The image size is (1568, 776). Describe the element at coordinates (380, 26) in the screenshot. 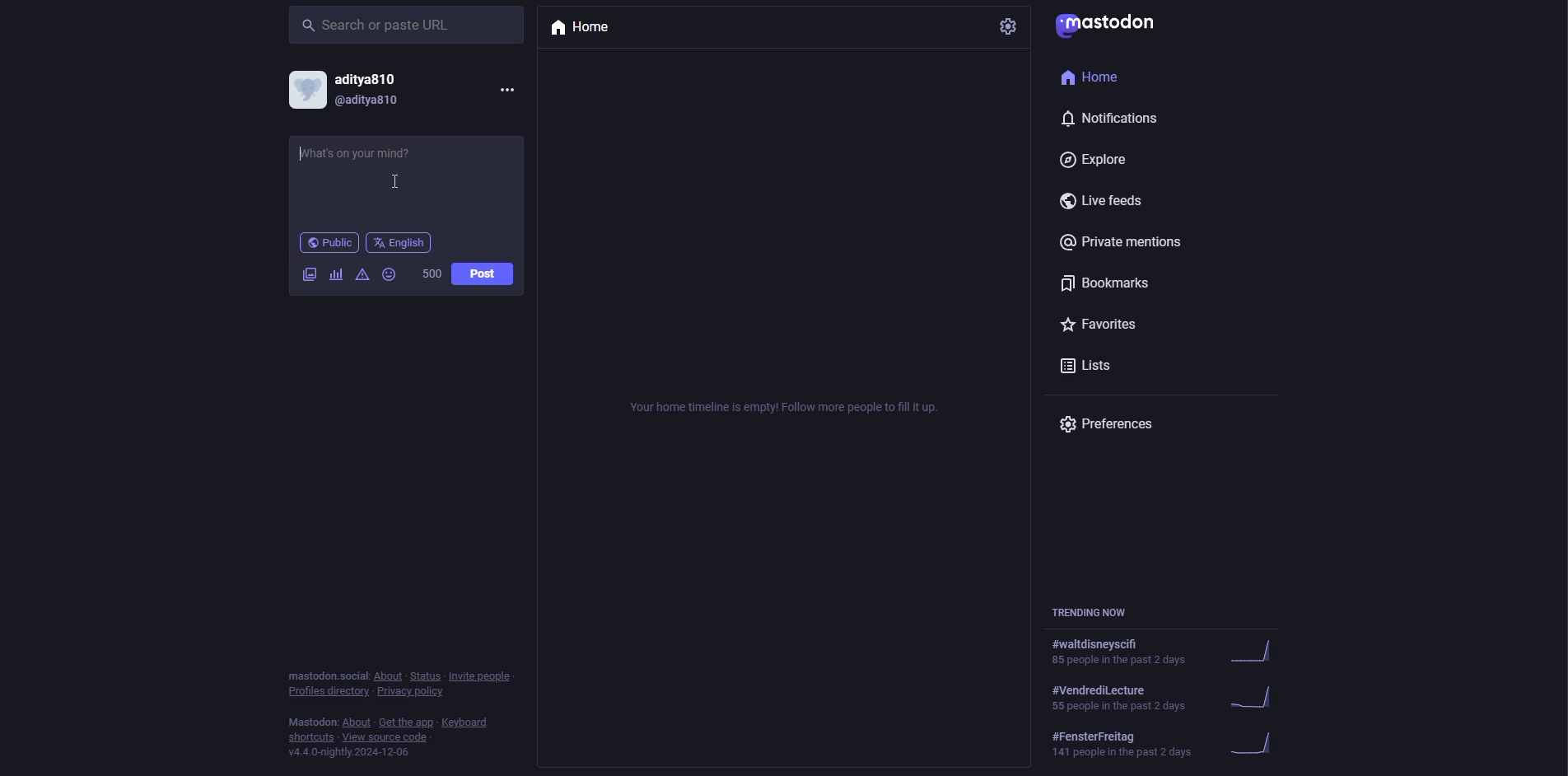

I see `search` at that location.